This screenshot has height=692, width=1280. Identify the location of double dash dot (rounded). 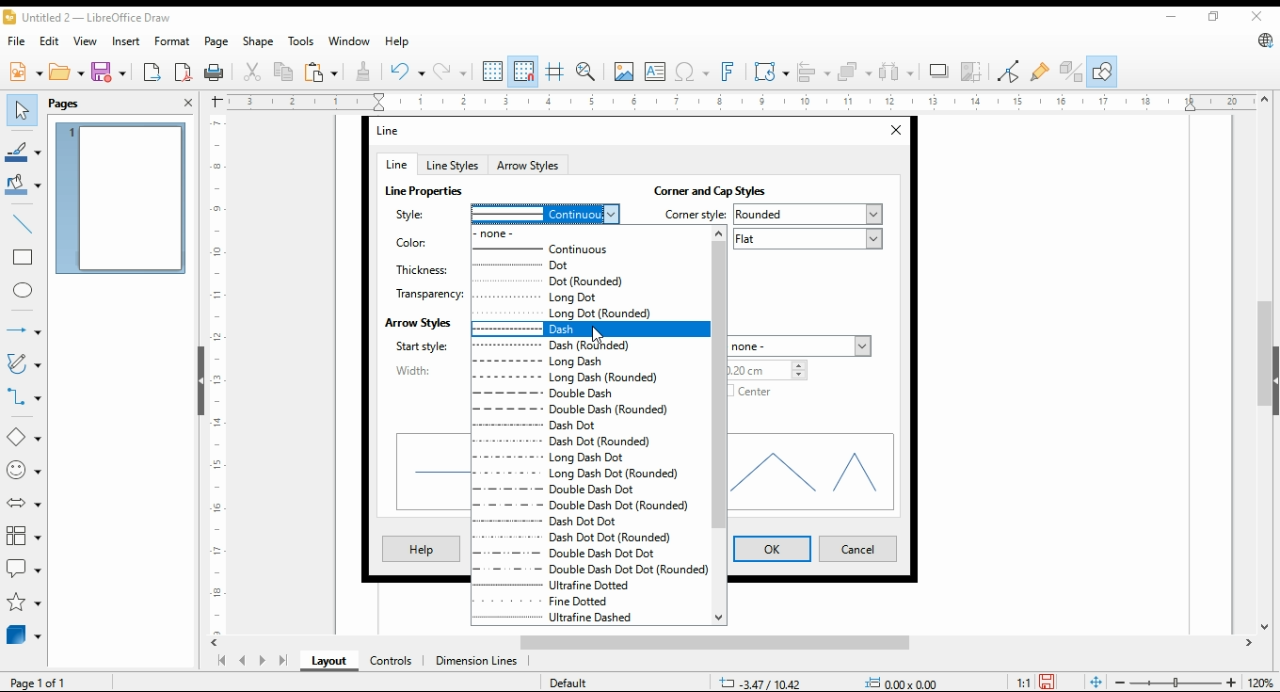
(582, 506).